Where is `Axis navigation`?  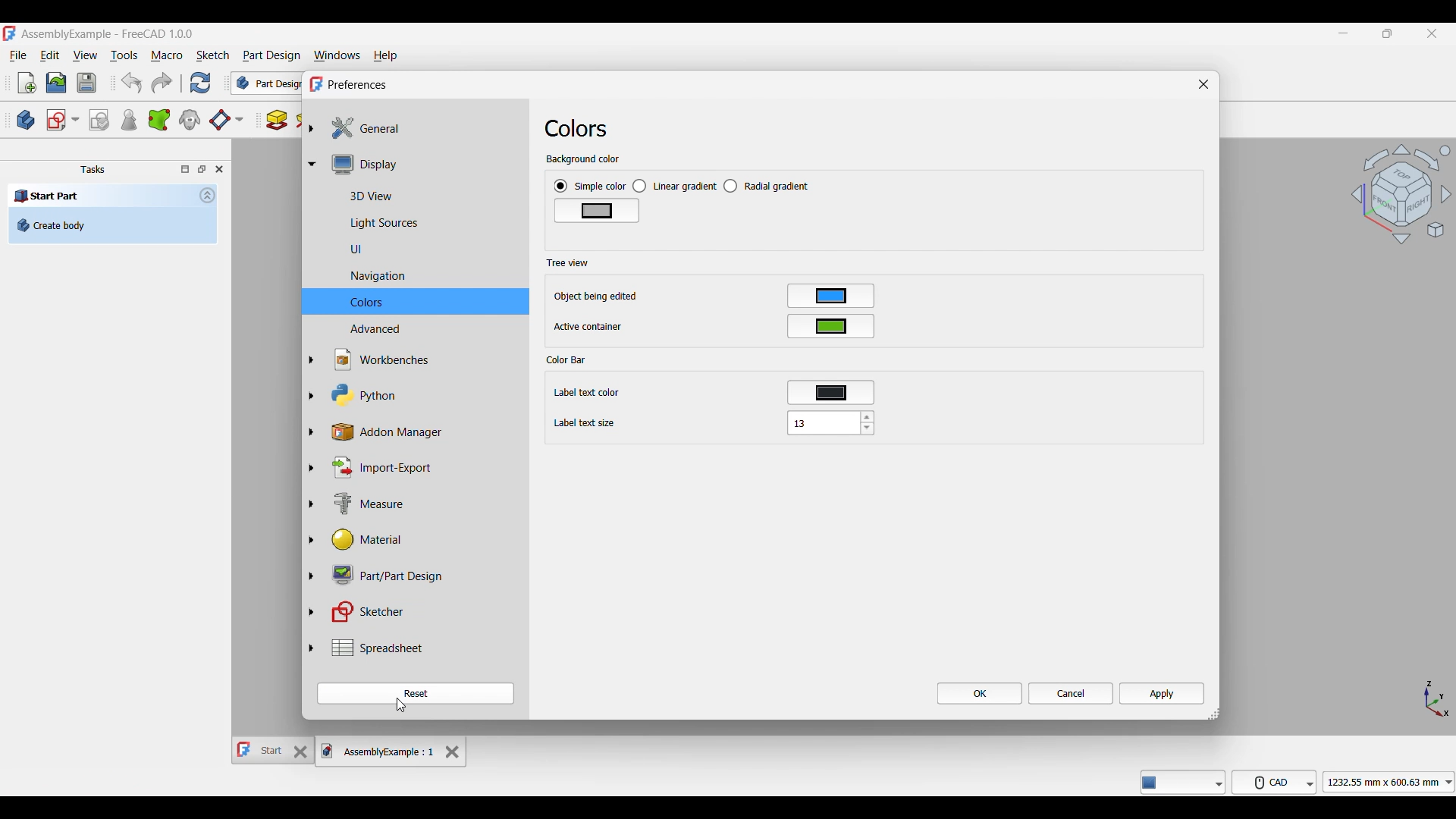
Axis navigation is located at coordinates (1438, 699).